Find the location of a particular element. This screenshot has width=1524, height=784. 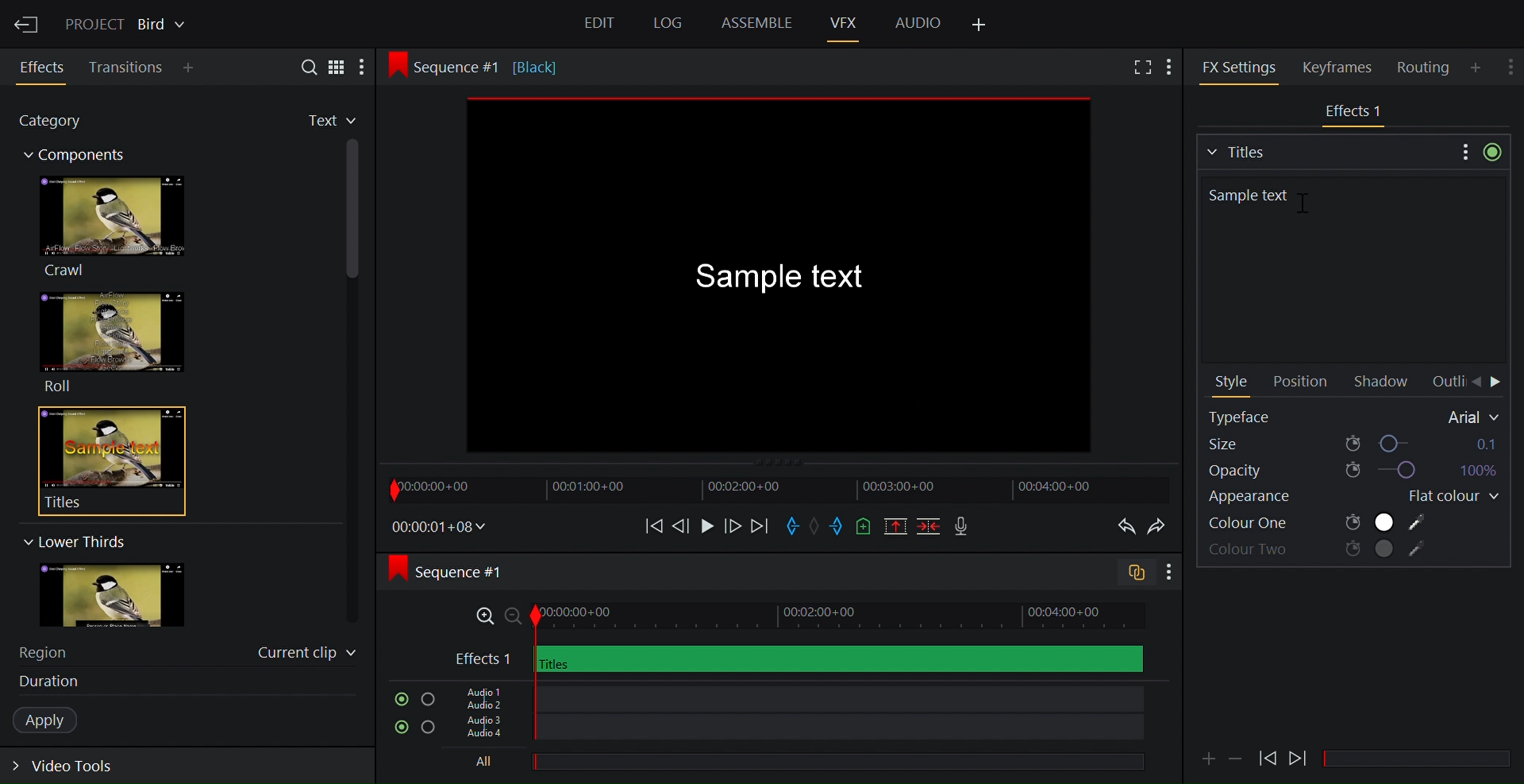

Toggle bypass is located at coordinates (1492, 152).